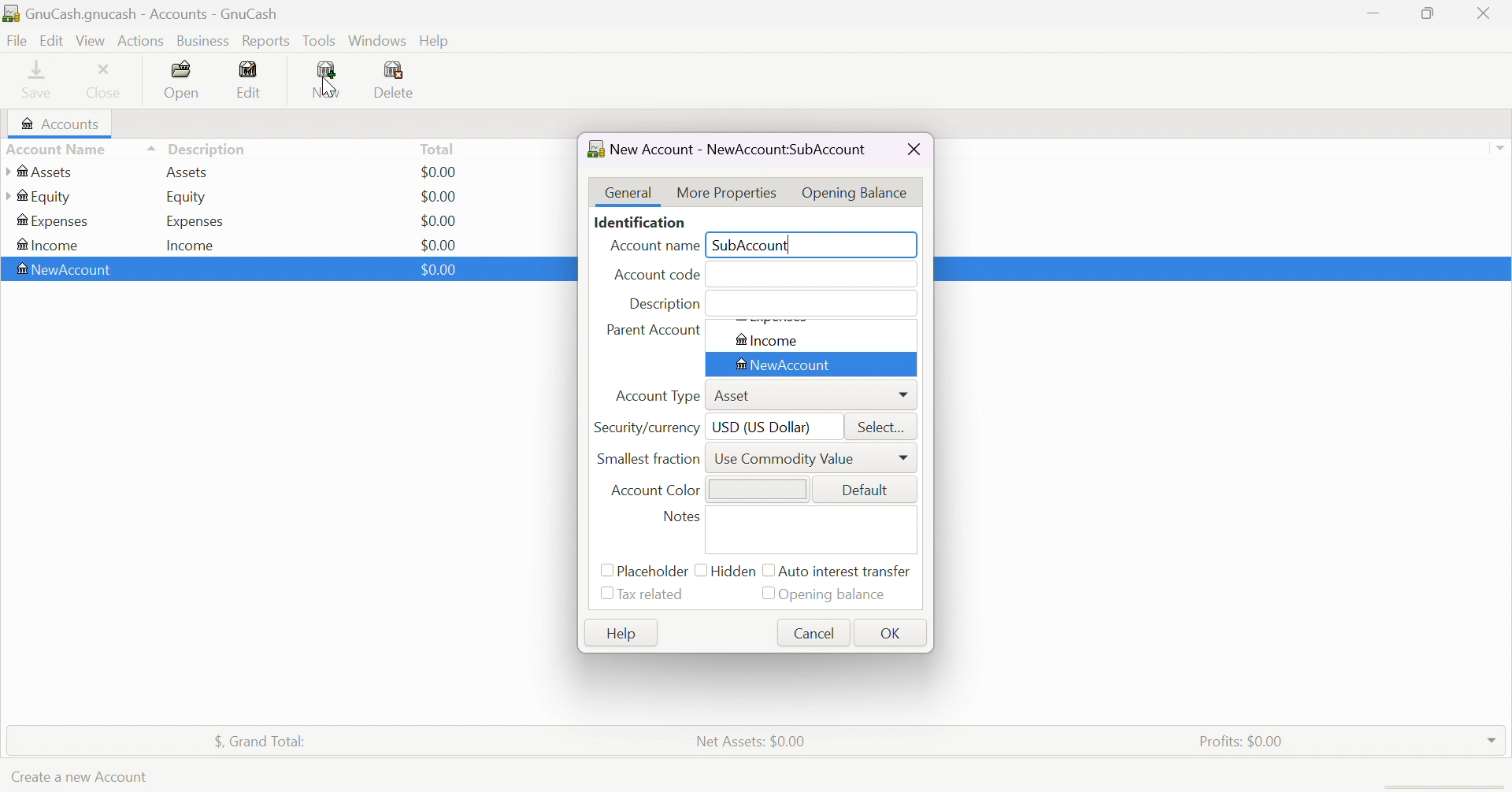 This screenshot has height=792, width=1512. Describe the element at coordinates (436, 42) in the screenshot. I see `Help` at that location.